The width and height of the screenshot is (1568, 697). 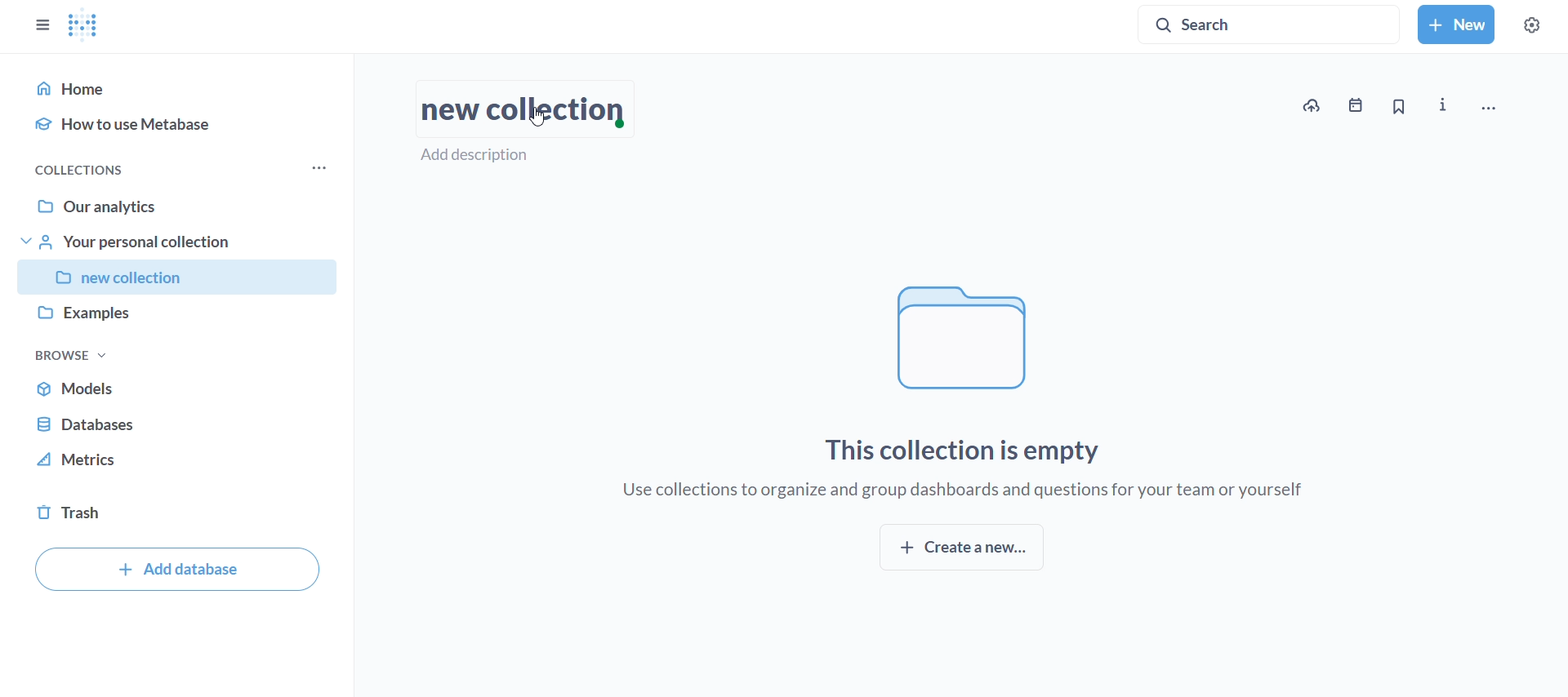 What do you see at coordinates (177, 569) in the screenshot?
I see `add database` at bounding box center [177, 569].